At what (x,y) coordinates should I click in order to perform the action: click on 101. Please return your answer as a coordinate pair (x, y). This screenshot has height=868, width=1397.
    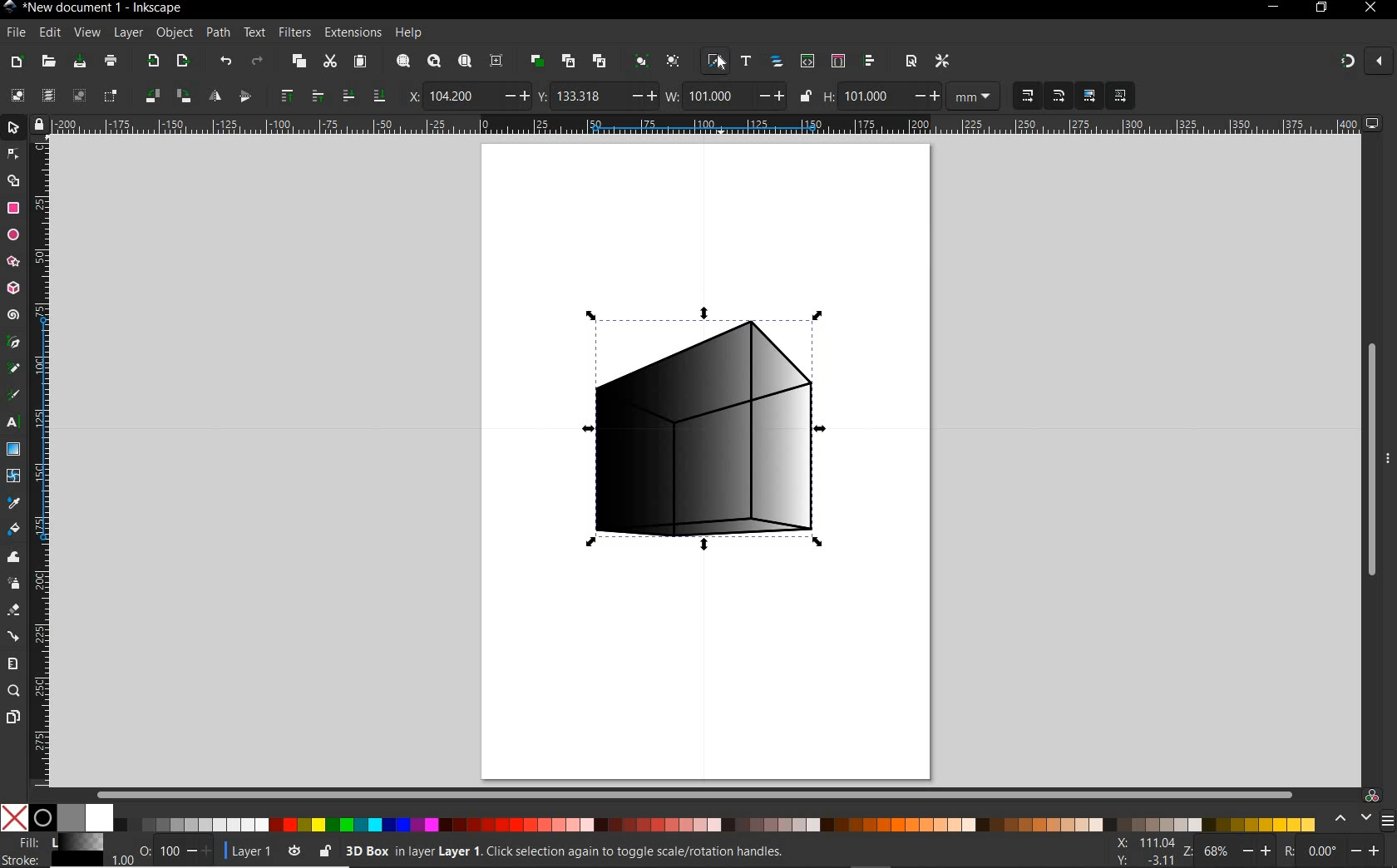
    Looking at the image, I should click on (714, 96).